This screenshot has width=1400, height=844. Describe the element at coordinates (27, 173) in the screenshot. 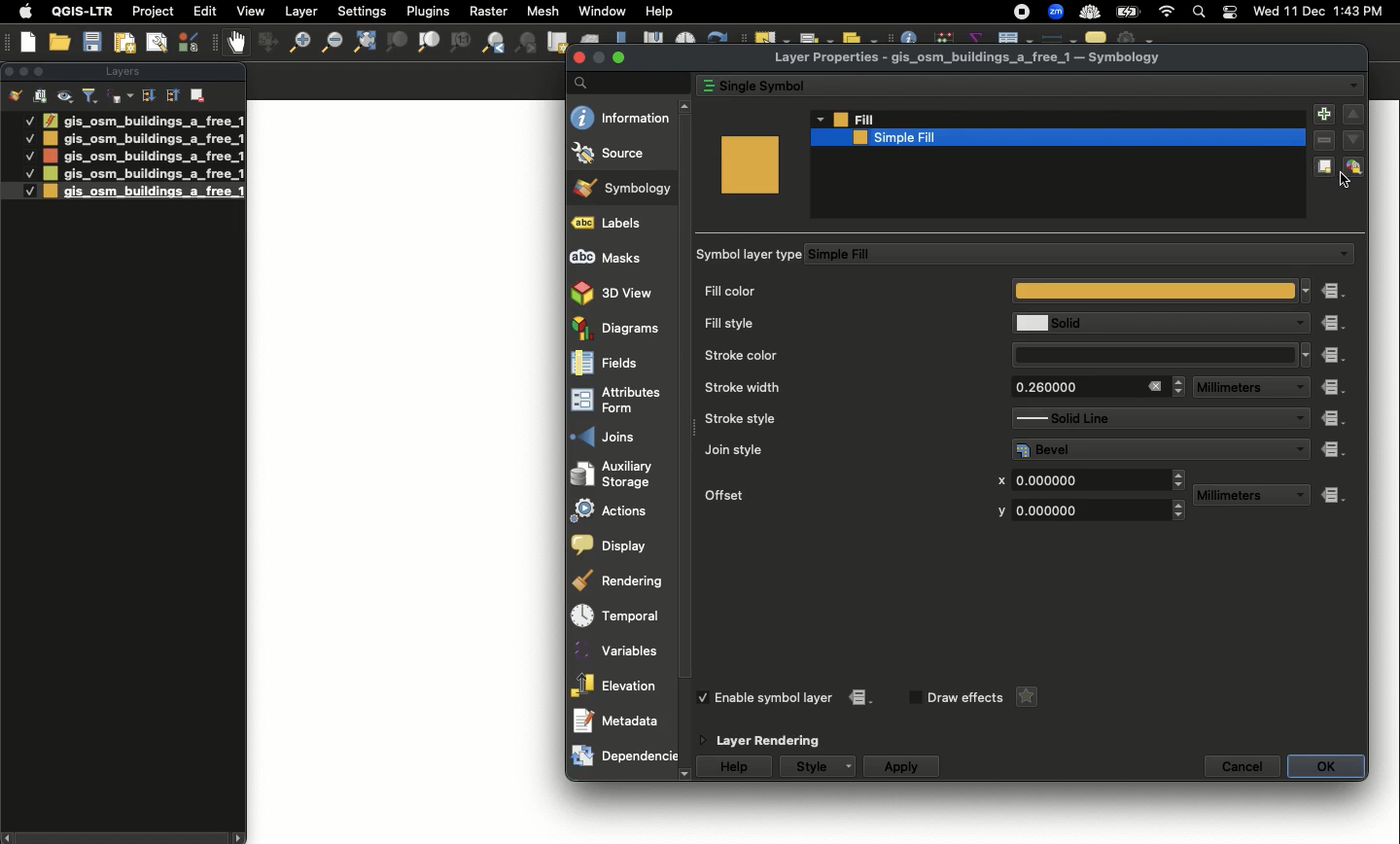

I see `Checked` at that location.